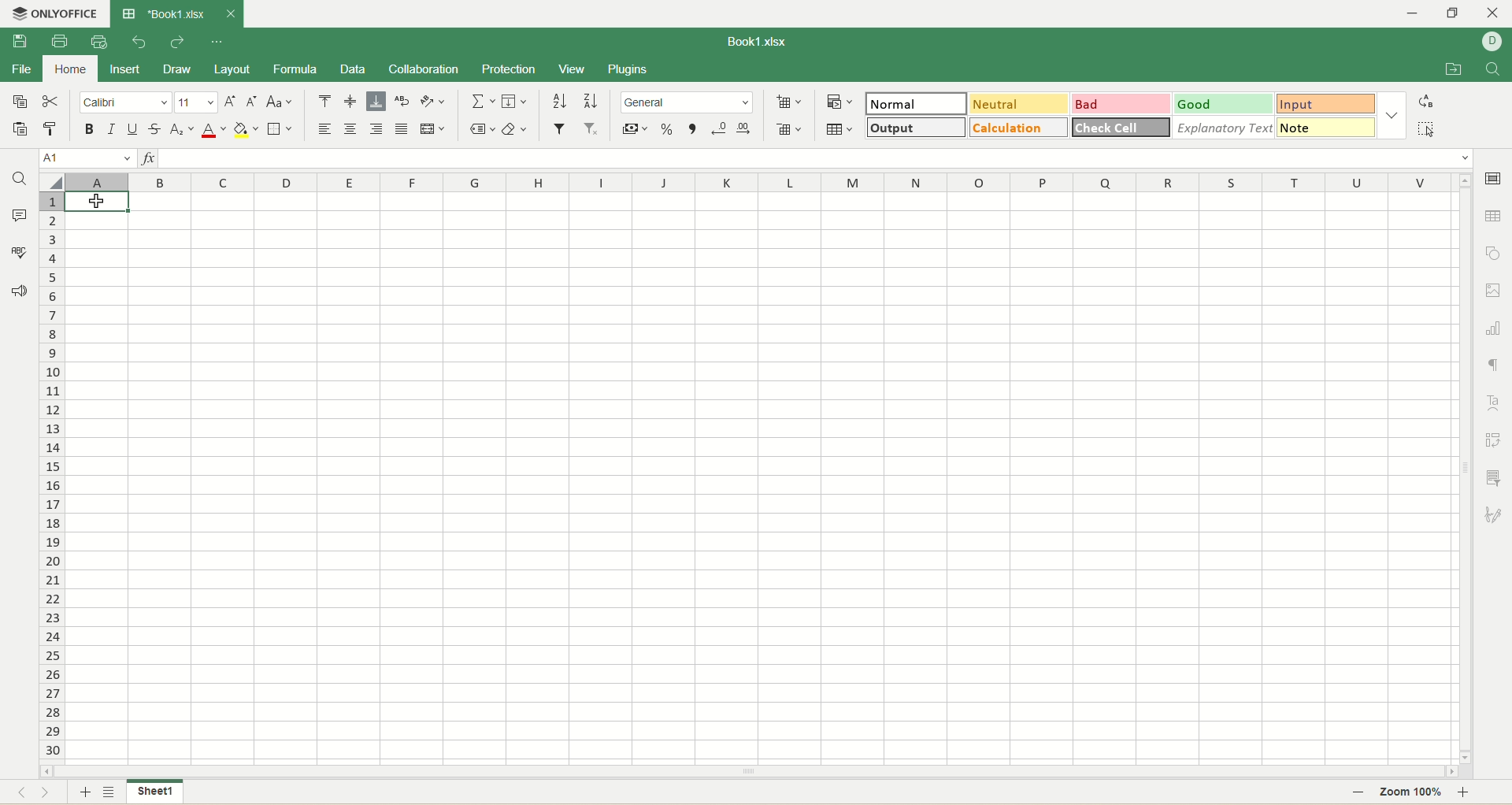  What do you see at coordinates (1425, 102) in the screenshot?
I see `replace` at bounding box center [1425, 102].